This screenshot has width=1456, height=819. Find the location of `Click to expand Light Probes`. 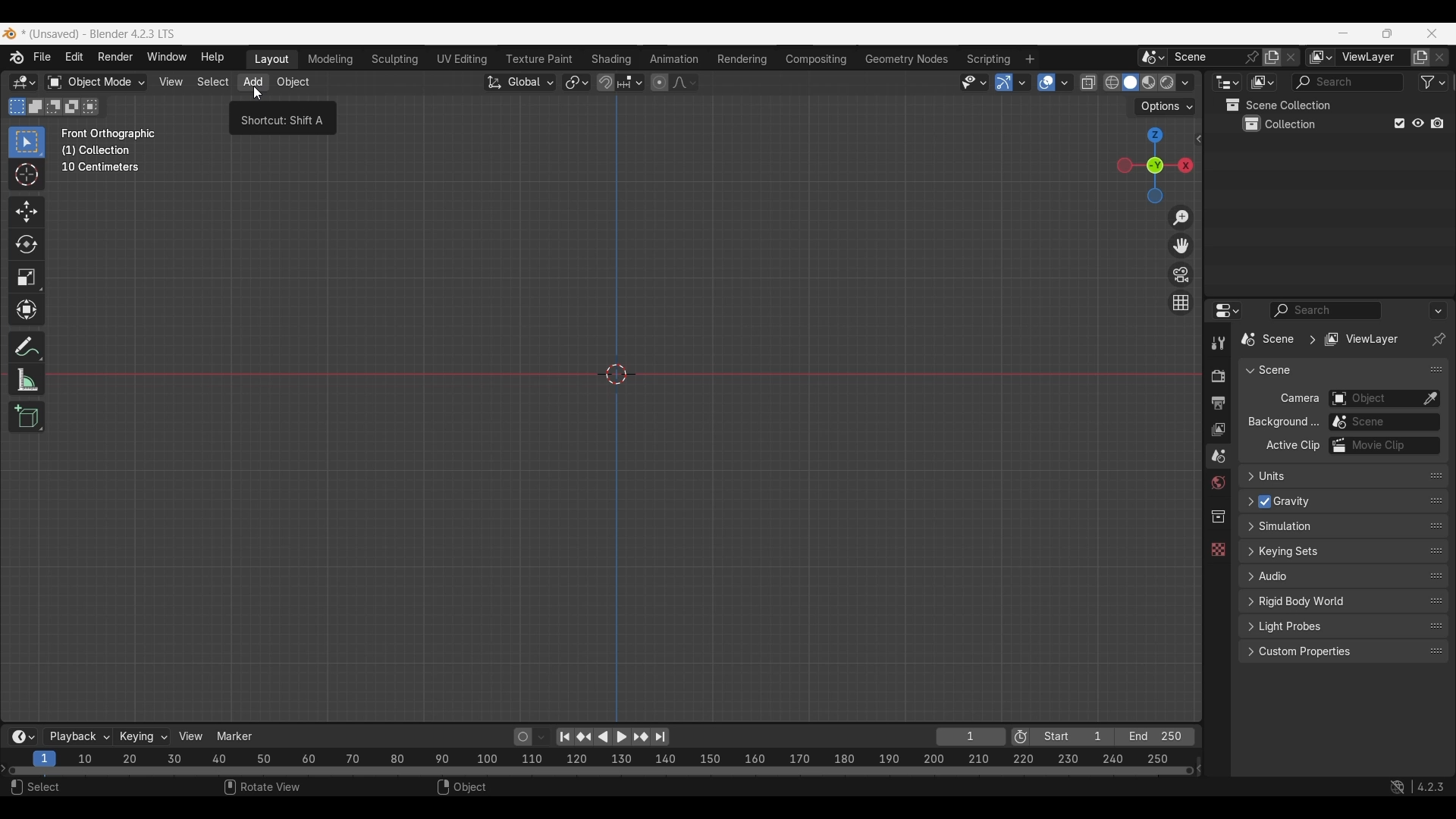

Click to expand Light Probes is located at coordinates (1333, 627).